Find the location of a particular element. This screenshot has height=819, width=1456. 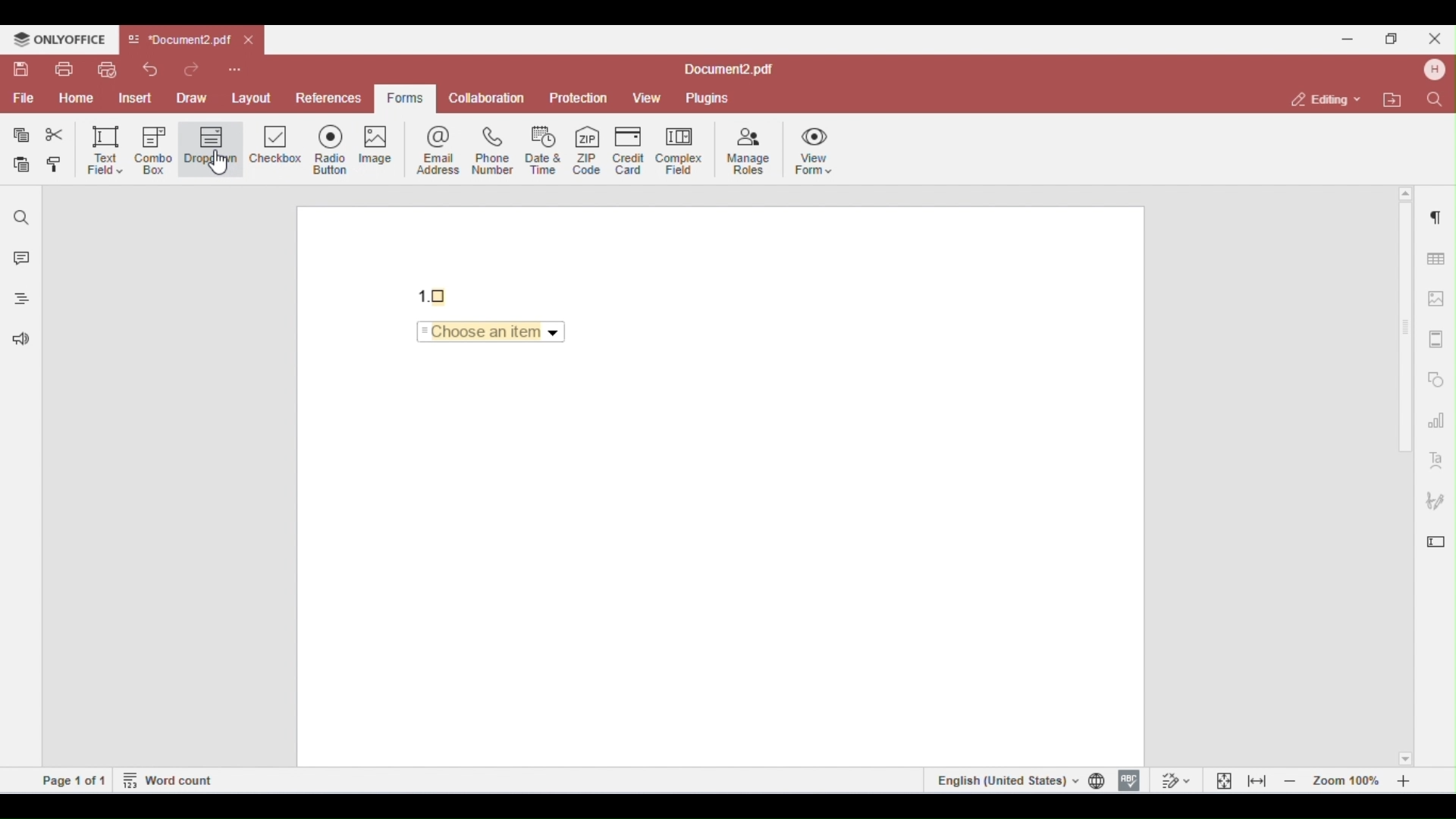

view is located at coordinates (647, 99).